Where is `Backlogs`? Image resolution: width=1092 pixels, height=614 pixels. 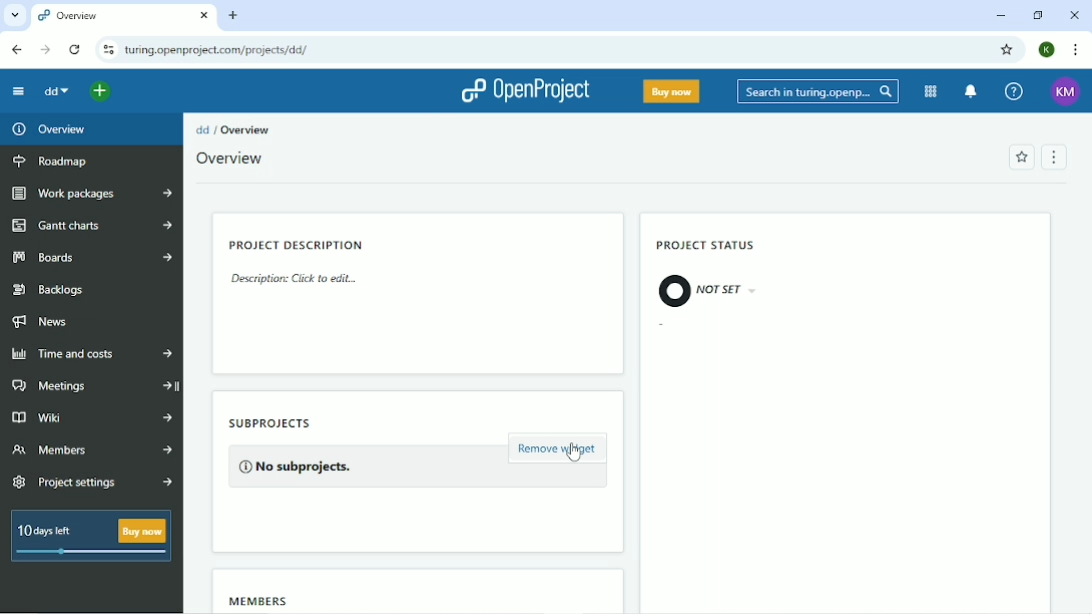
Backlogs is located at coordinates (51, 290).